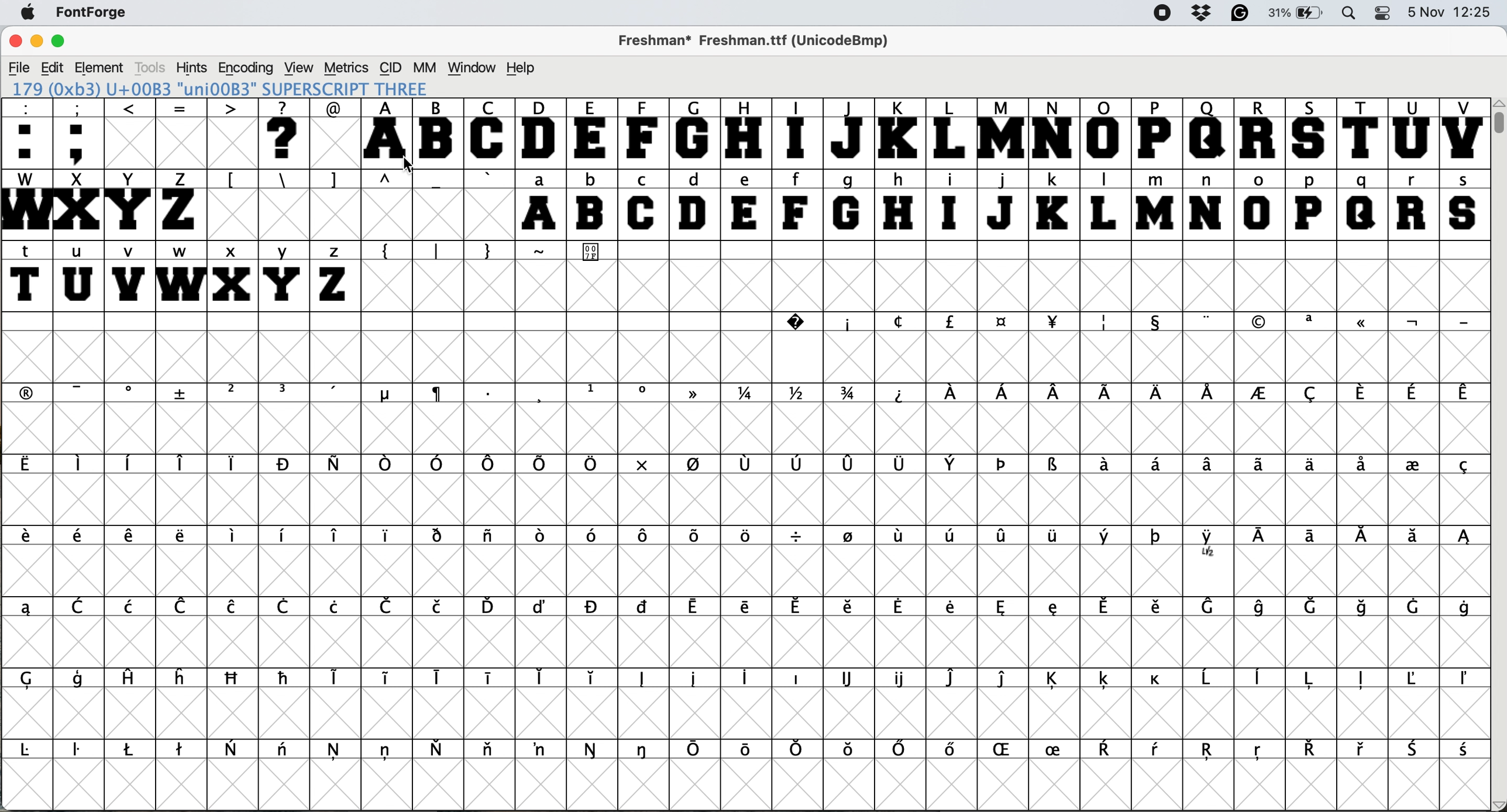  What do you see at coordinates (246, 68) in the screenshot?
I see `encoding` at bounding box center [246, 68].